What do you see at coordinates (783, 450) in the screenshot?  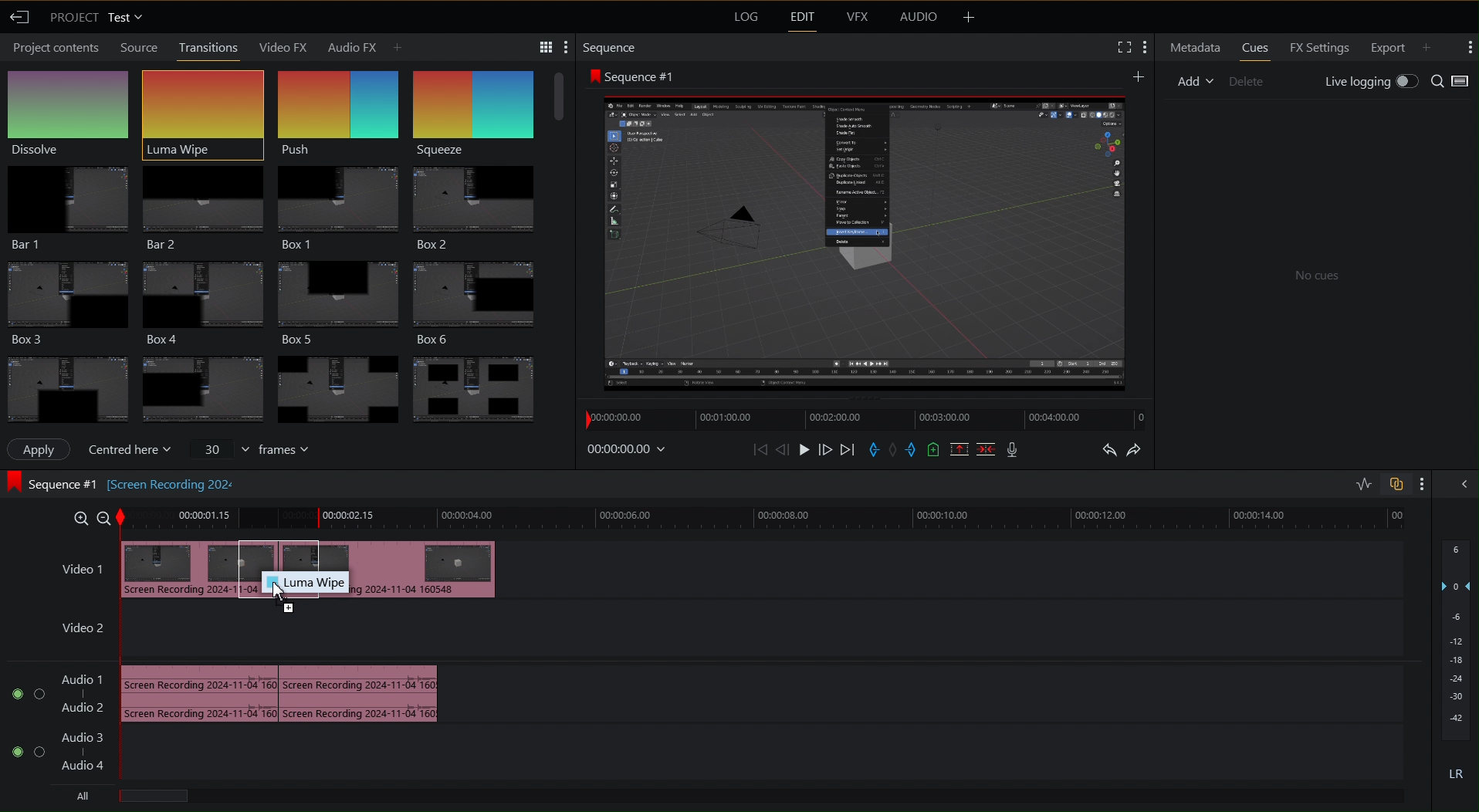 I see `Move Back` at bounding box center [783, 450].